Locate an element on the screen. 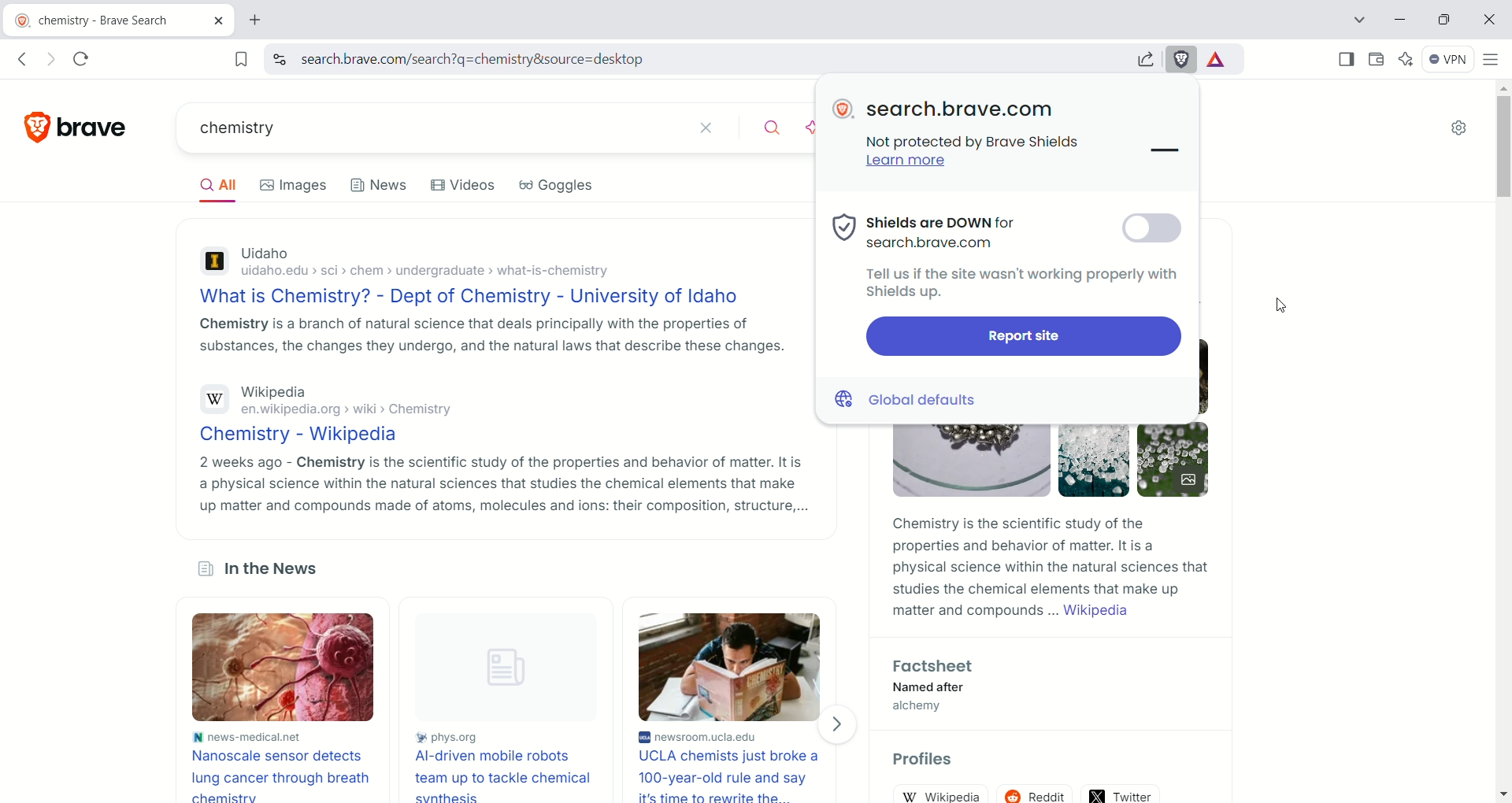 The height and width of the screenshot is (803, 1512). Wikipedia: en.wikipedia.org > wiki > Chemistry is located at coordinates (495, 402).